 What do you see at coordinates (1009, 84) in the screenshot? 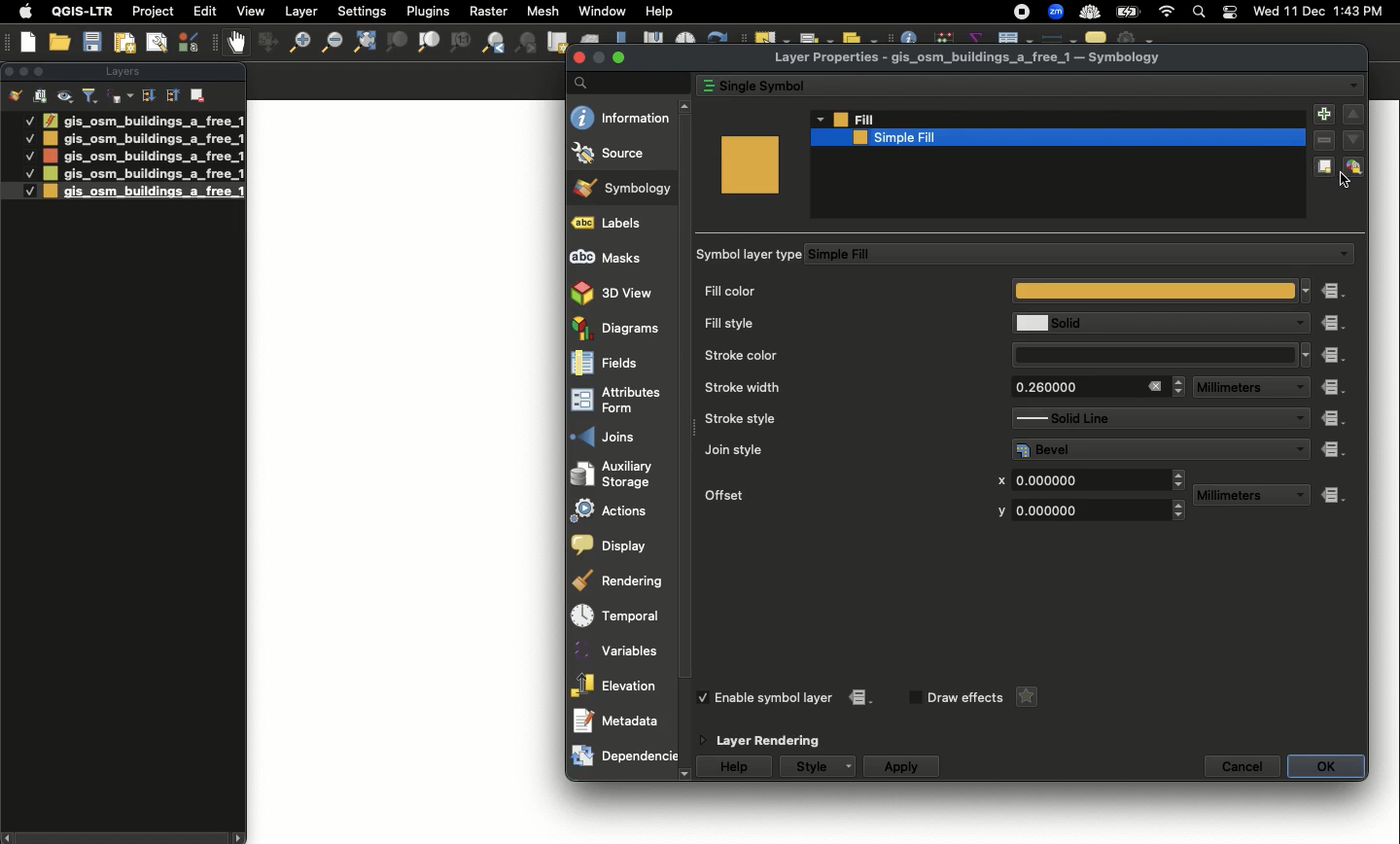
I see `Single symbol` at bounding box center [1009, 84].